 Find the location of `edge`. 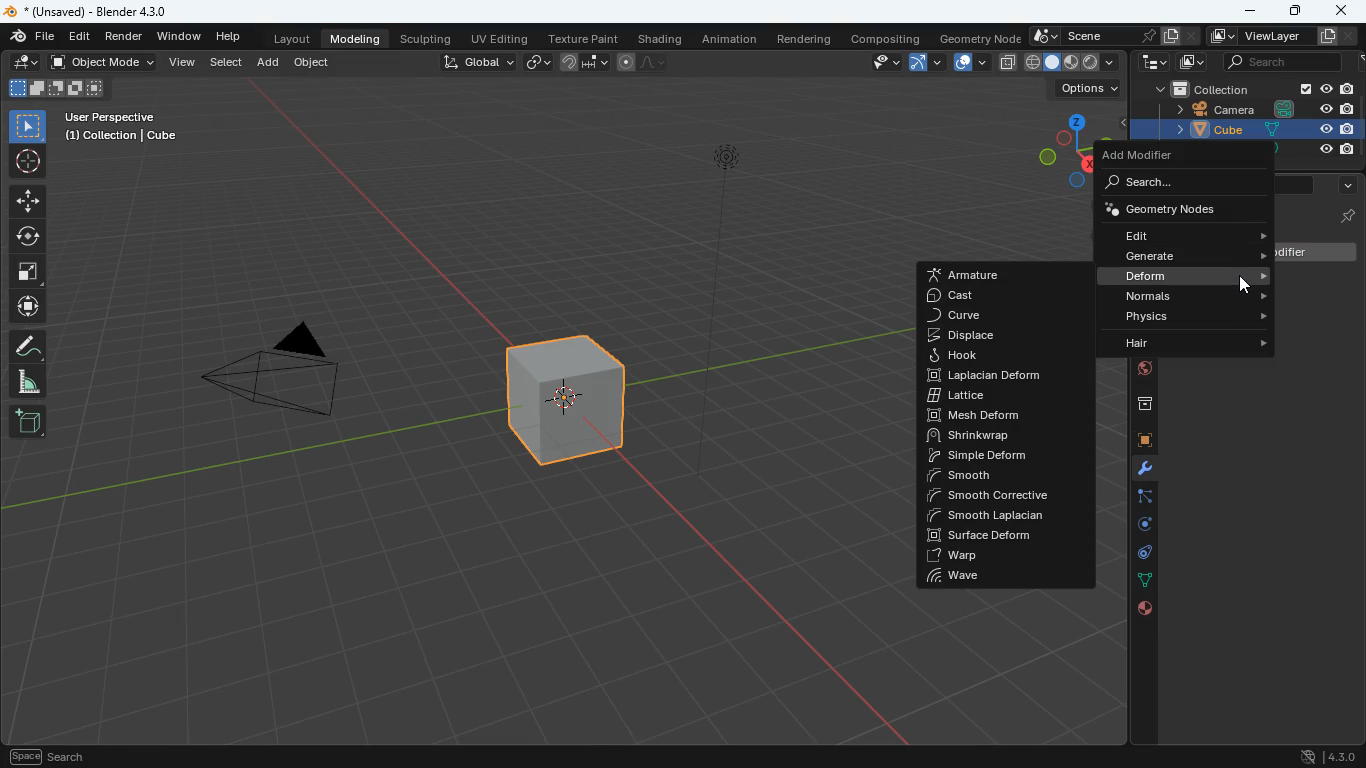

edge is located at coordinates (1138, 498).